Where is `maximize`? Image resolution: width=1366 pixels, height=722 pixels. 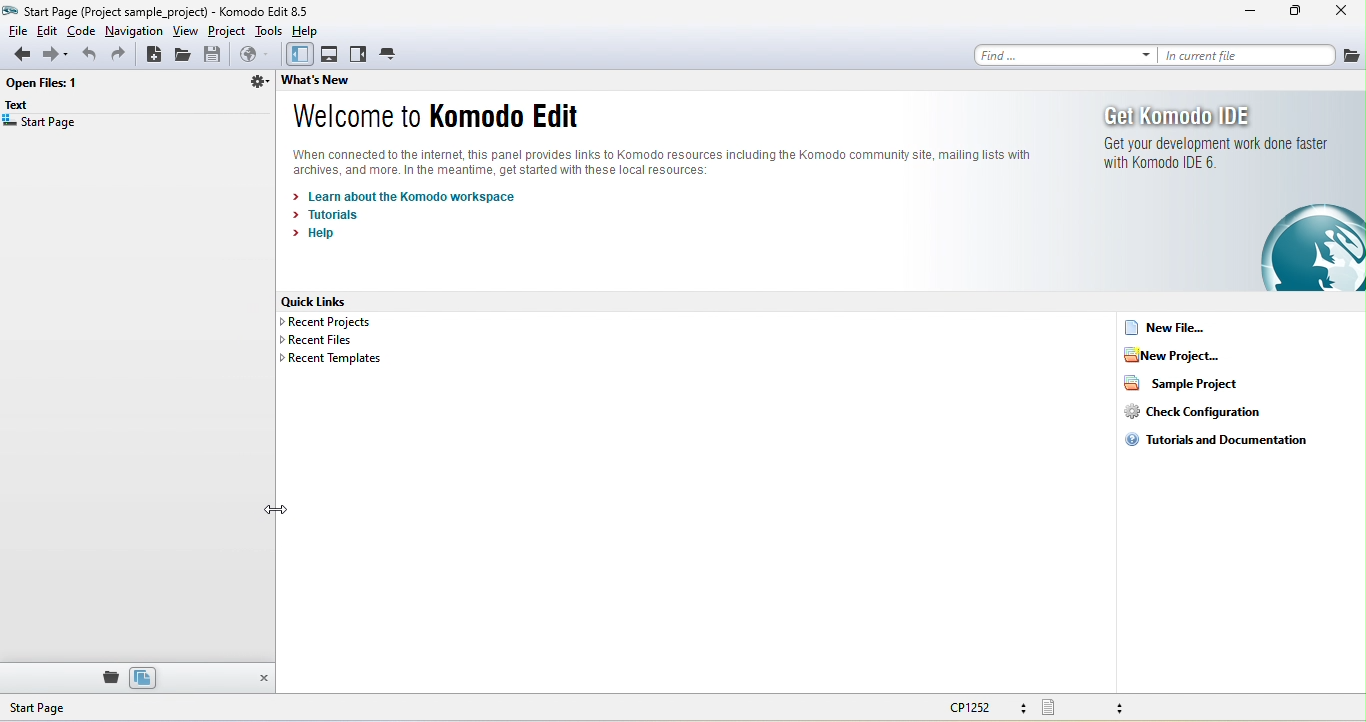 maximize is located at coordinates (1295, 13).